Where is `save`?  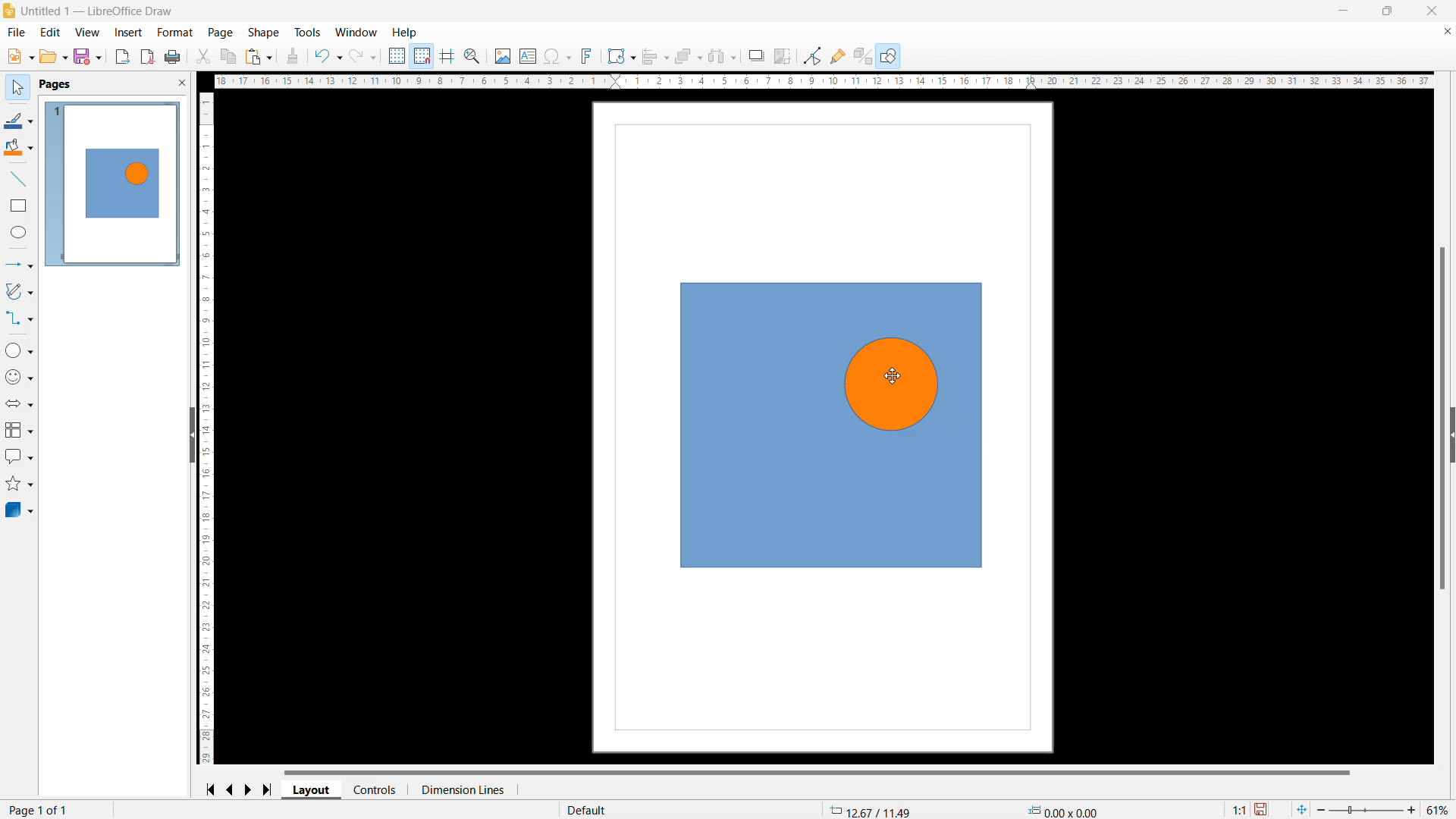
save is located at coordinates (89, 57).